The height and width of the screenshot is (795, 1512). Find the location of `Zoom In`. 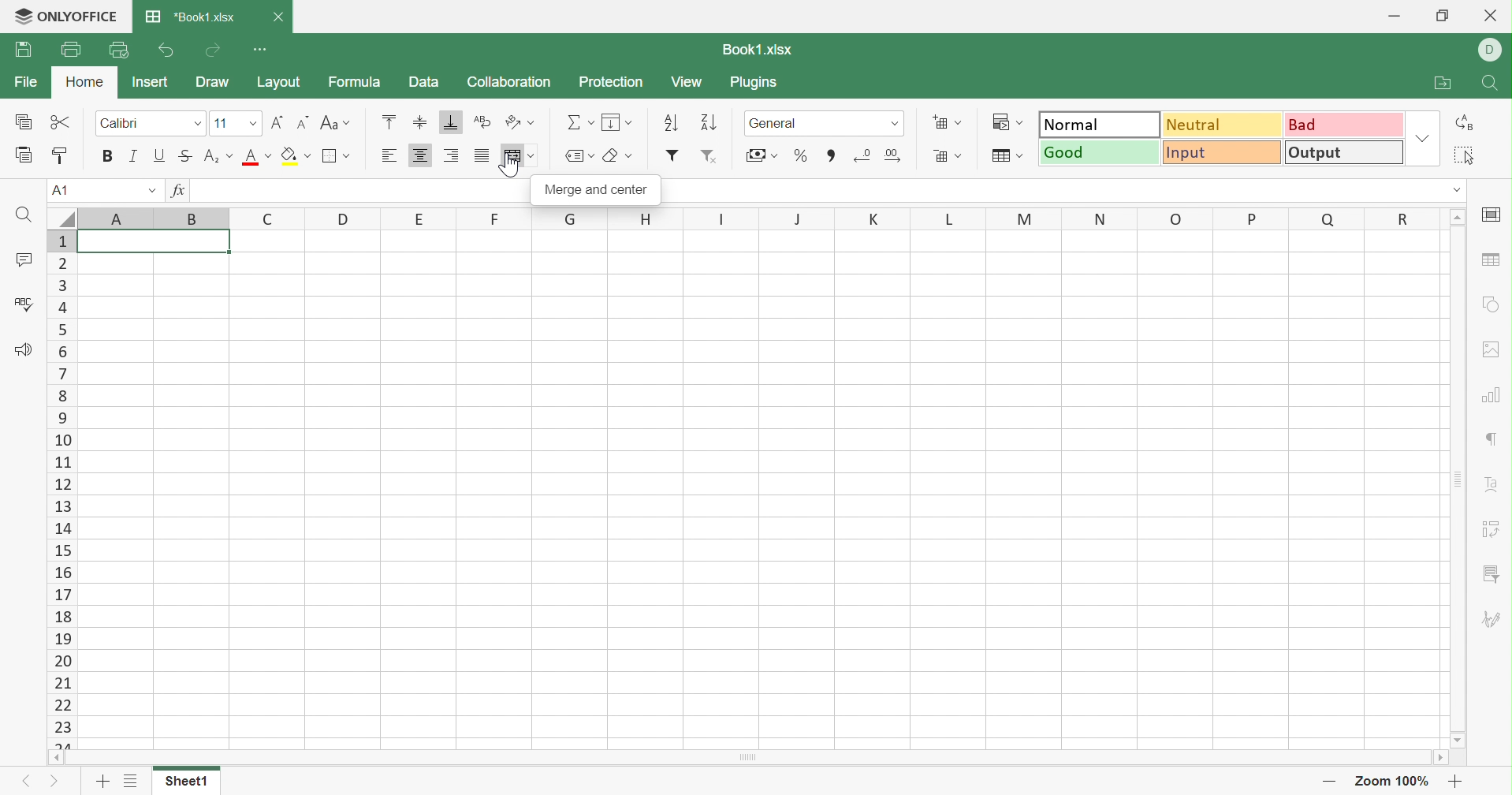

Zoom In is located at coordinates (1456, 783).